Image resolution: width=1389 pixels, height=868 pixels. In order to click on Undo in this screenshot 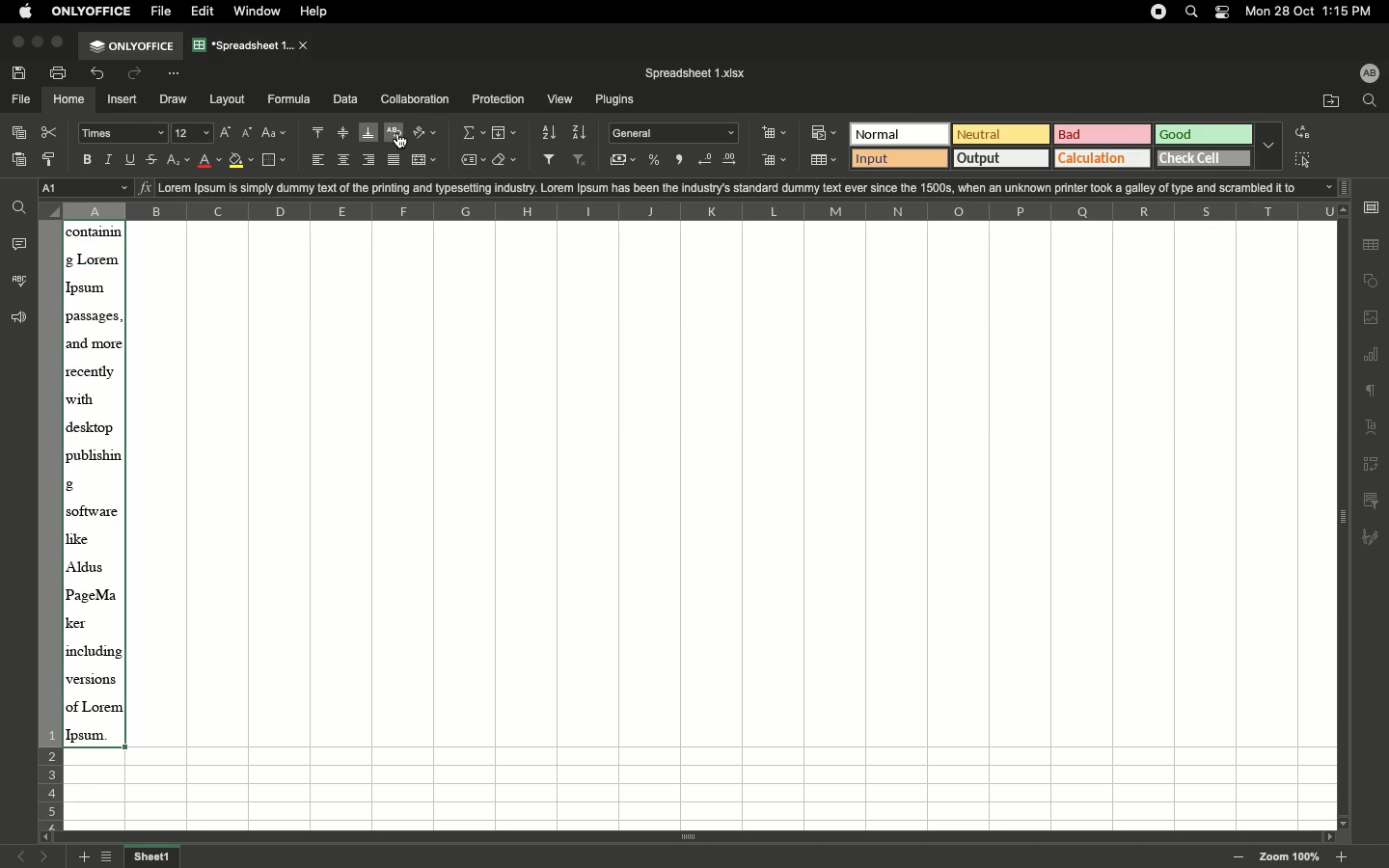, I will do `click(101, 75)`.